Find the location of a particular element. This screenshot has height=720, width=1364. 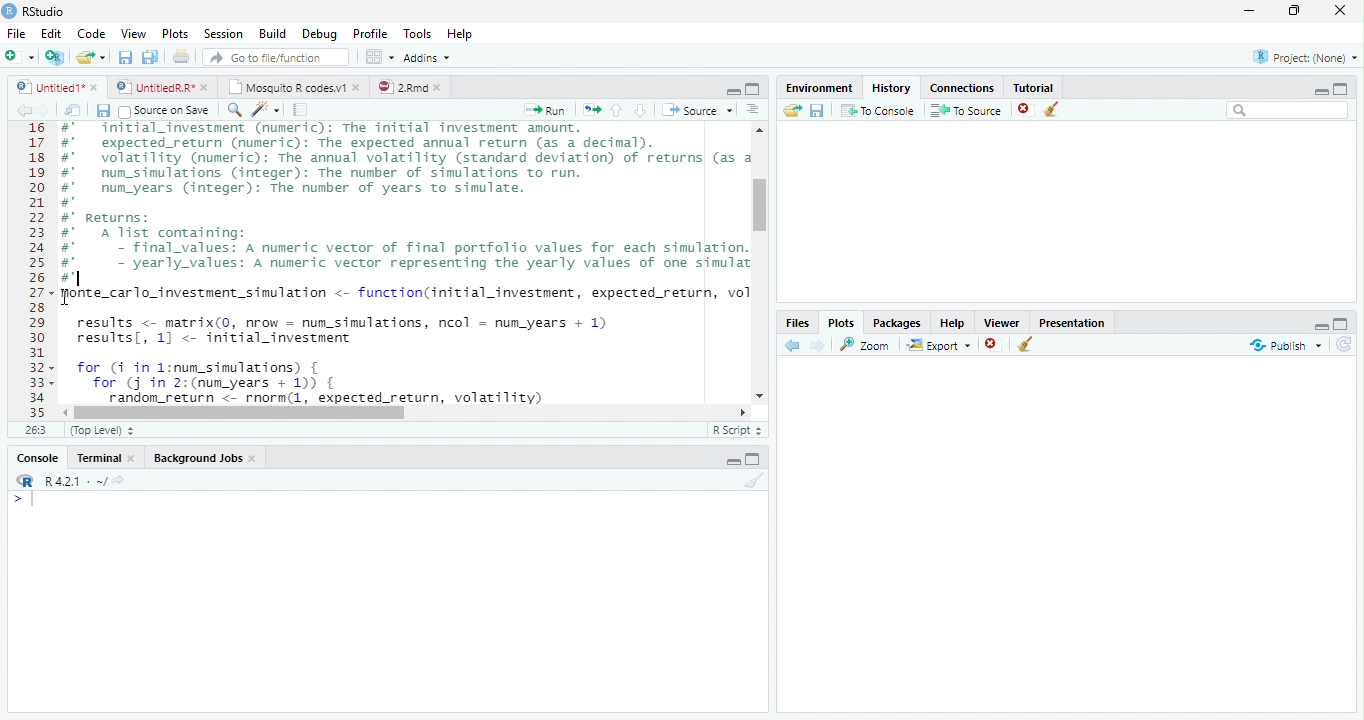

Clear is located at coordinates (1026, 346).